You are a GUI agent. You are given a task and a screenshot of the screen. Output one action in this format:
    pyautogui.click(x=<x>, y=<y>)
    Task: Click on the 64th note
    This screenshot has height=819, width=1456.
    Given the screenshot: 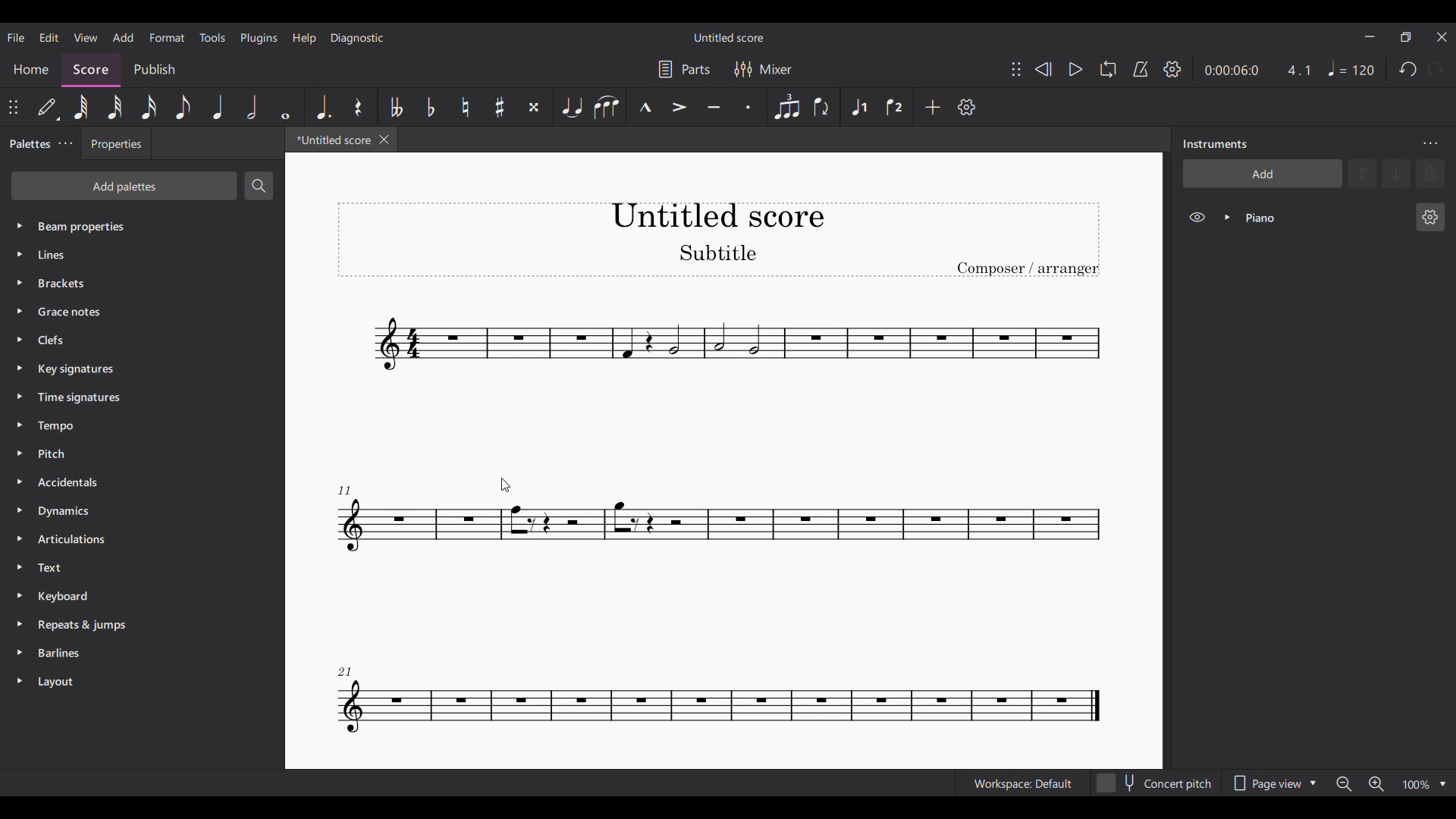 What is the action you would take?
    pyautogui.click(x=81, y=107)
    